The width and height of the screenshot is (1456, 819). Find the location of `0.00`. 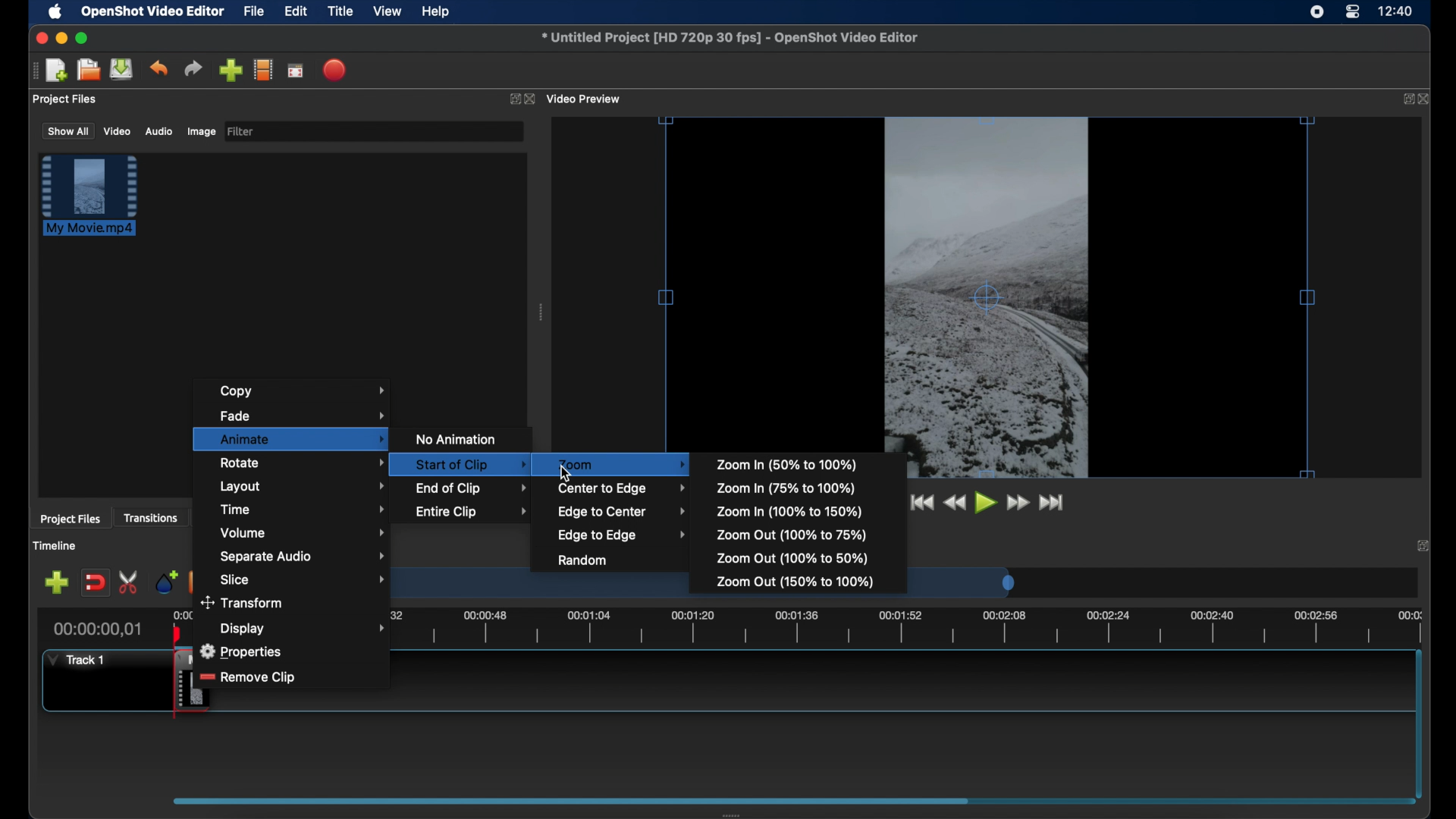

0.00 is located at coordinates (179, 615).